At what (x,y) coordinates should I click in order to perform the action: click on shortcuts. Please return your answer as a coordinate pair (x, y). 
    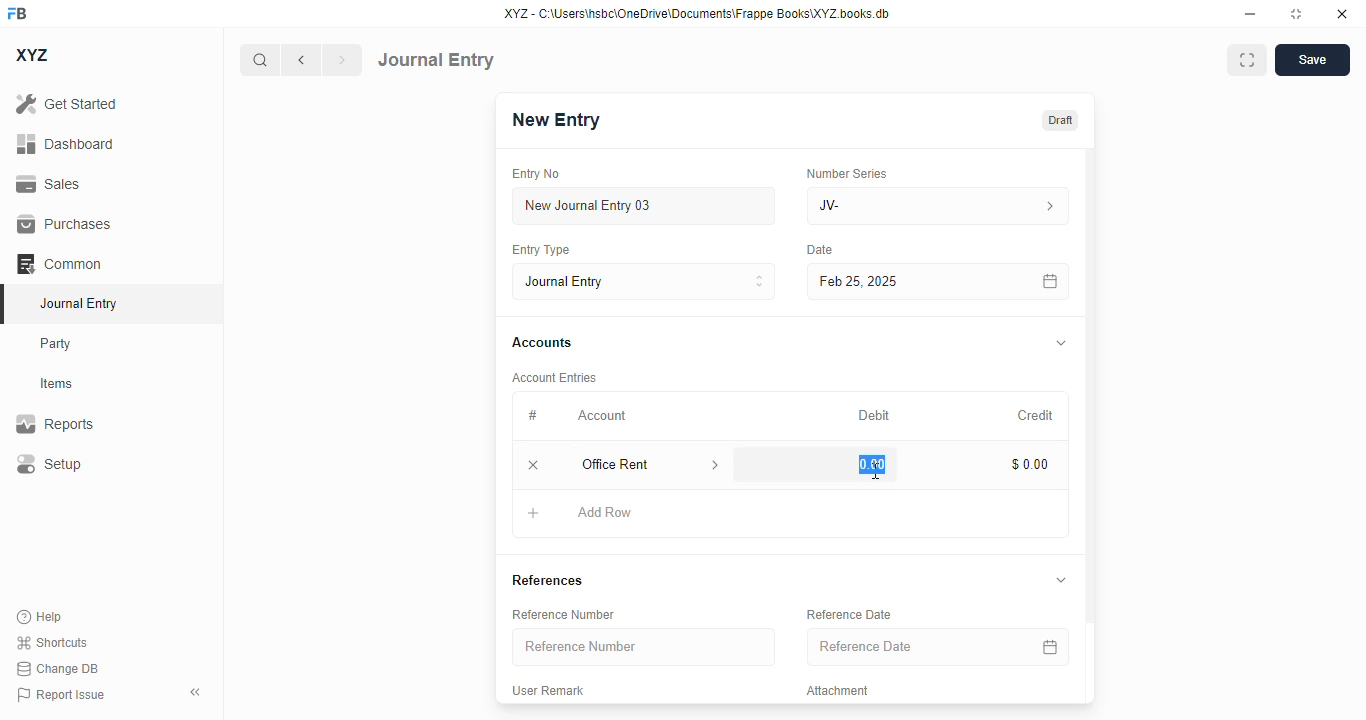
    Looking at the image, I should click on (51, 642).